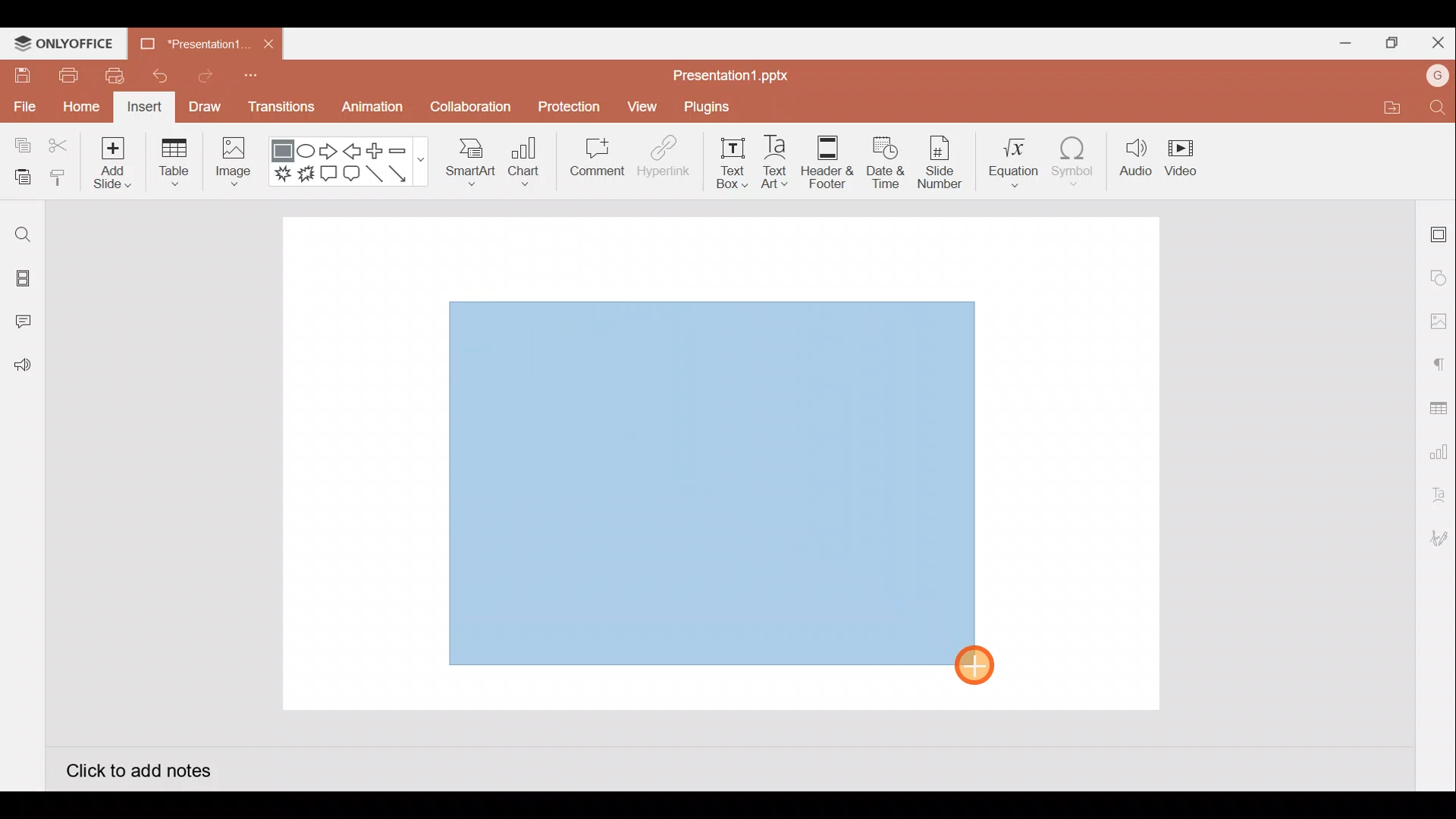 Image resolution: width=1456 pixels, height=819 pixels. Describe the element at coordinates (406, 174) in the screenshot. I see `Arrow` at that location.